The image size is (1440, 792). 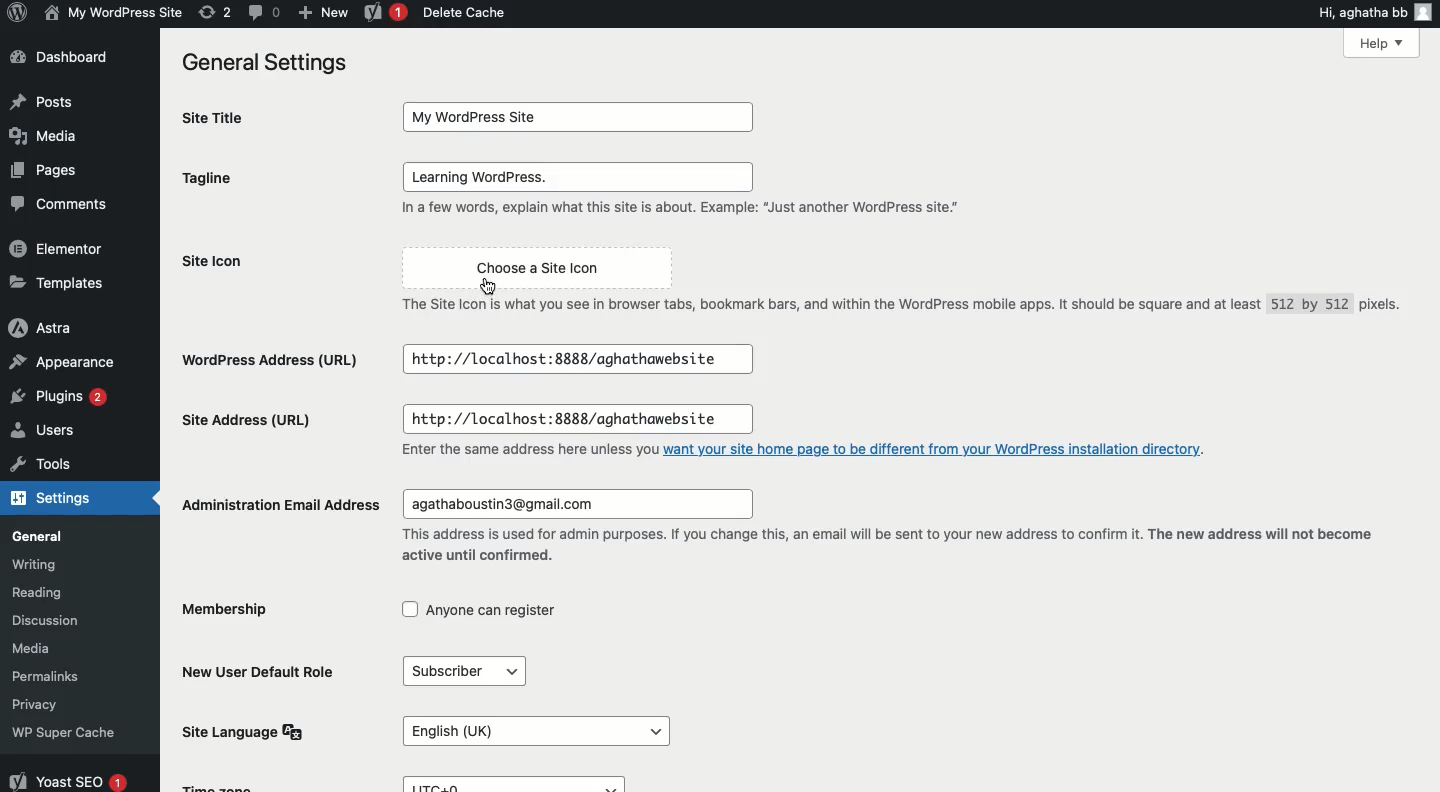 I want to click on Plugins 2, so click(x=59, y=400).